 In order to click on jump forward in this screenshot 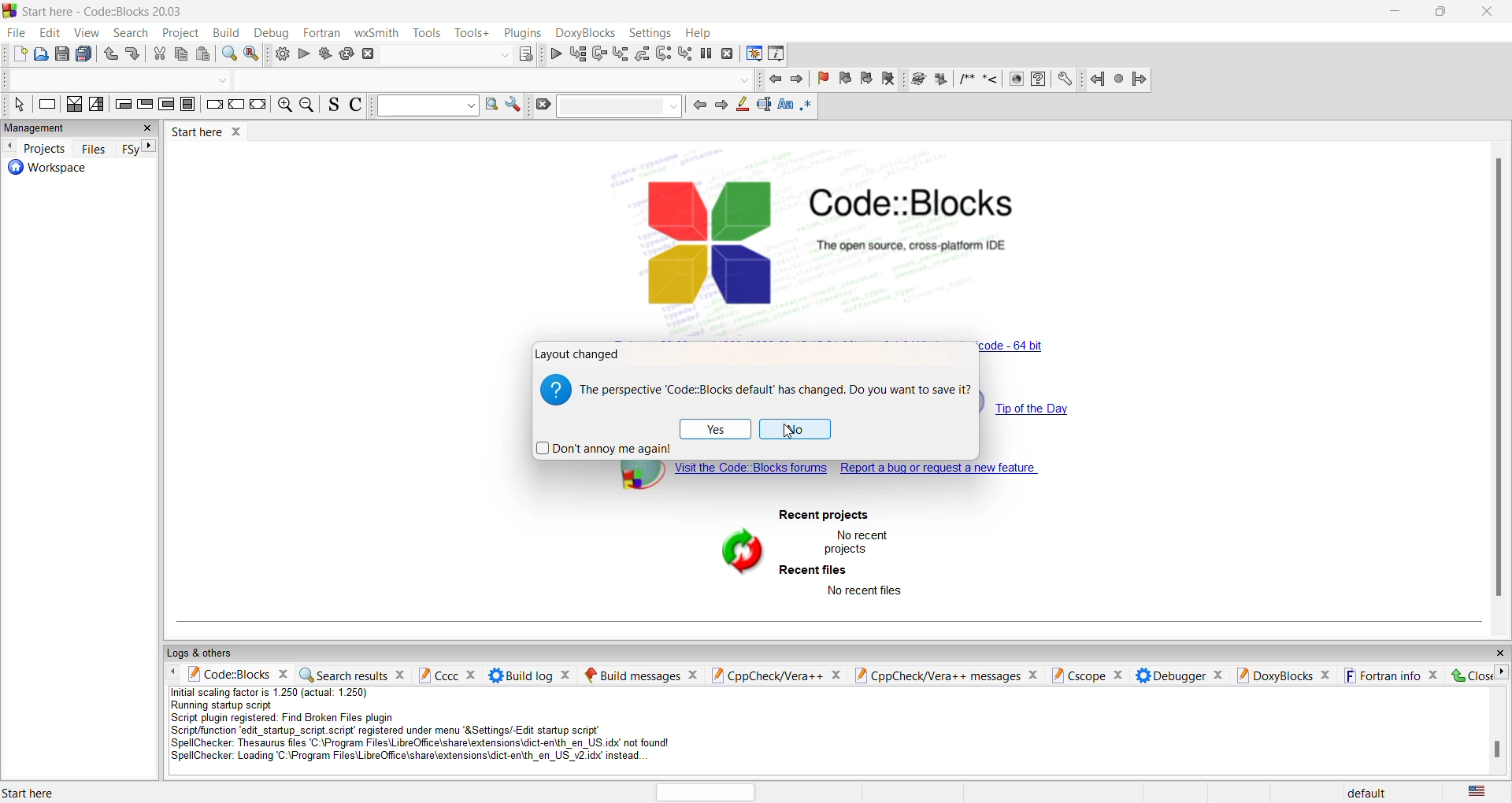, I will do `click(1140, 80)`.